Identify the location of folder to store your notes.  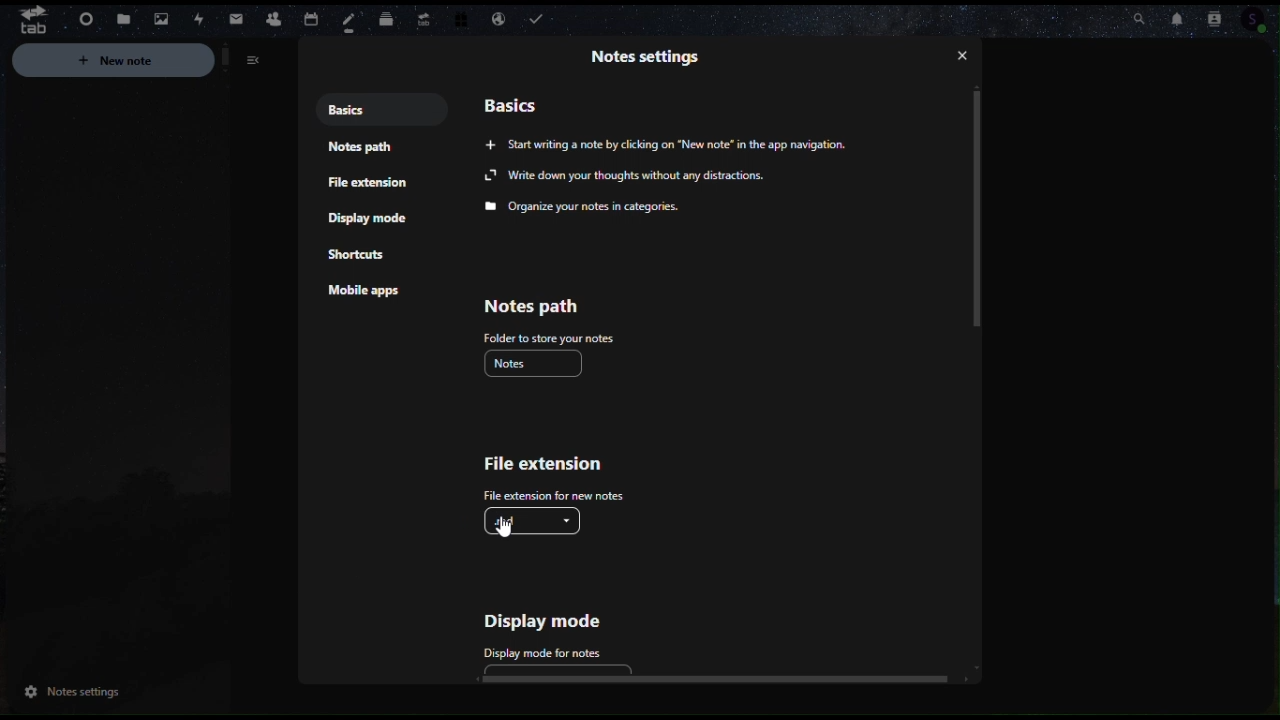
(548, 337).